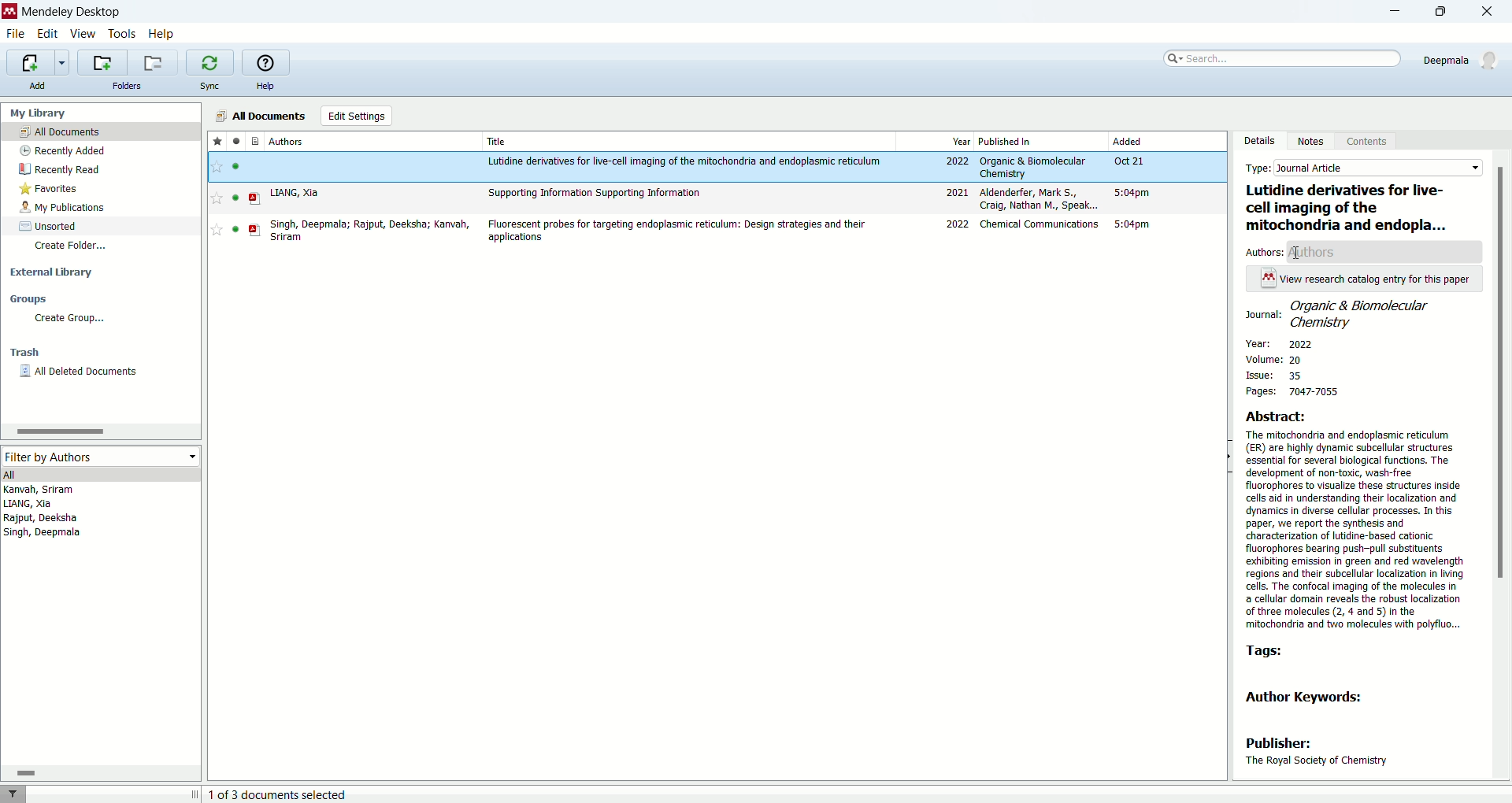 The width and height of the screenshot is (1512, 803). I want to click on all deleted documents, so click(77, 371).